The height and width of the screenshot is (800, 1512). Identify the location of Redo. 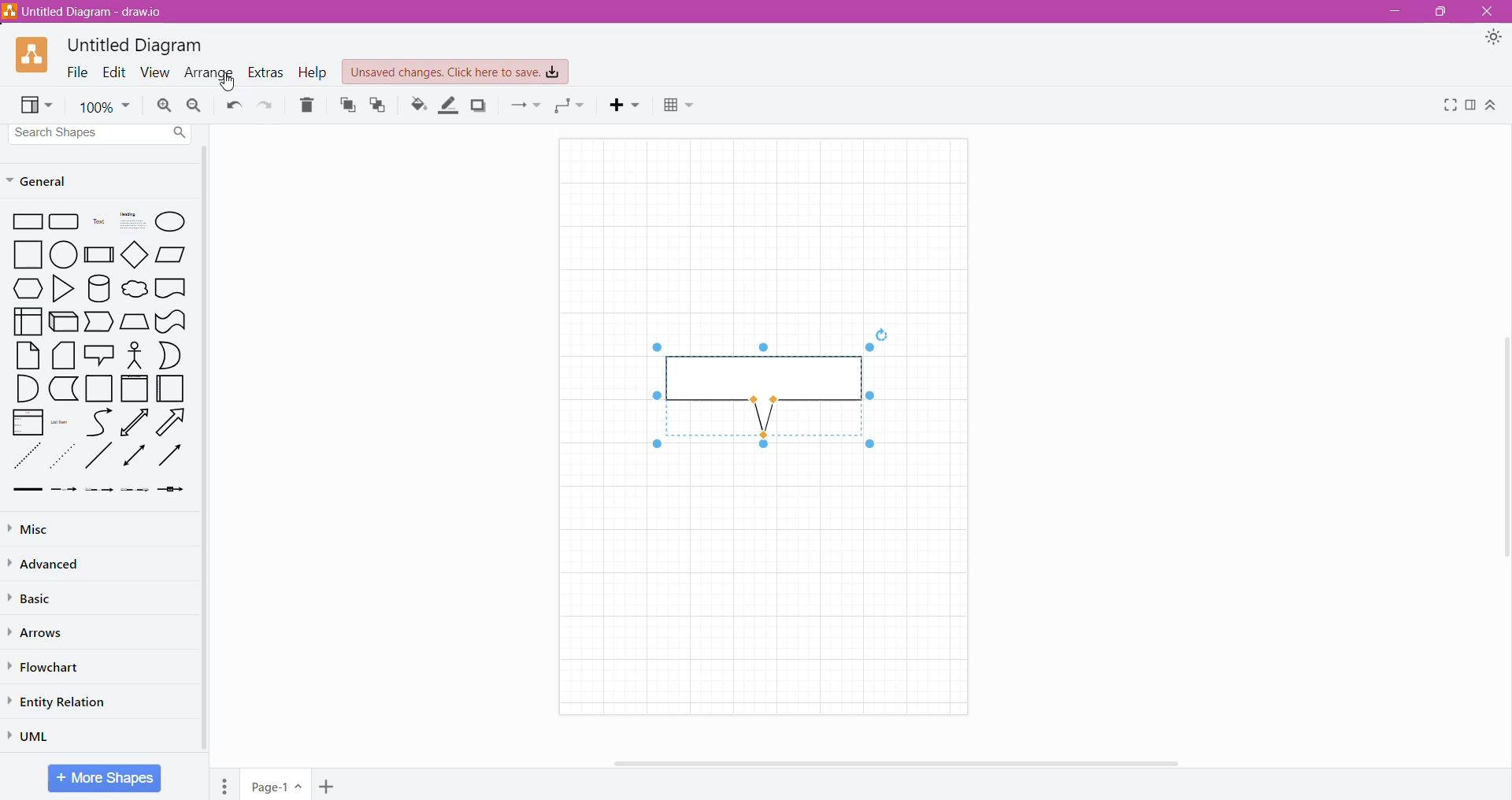
(268, 105).